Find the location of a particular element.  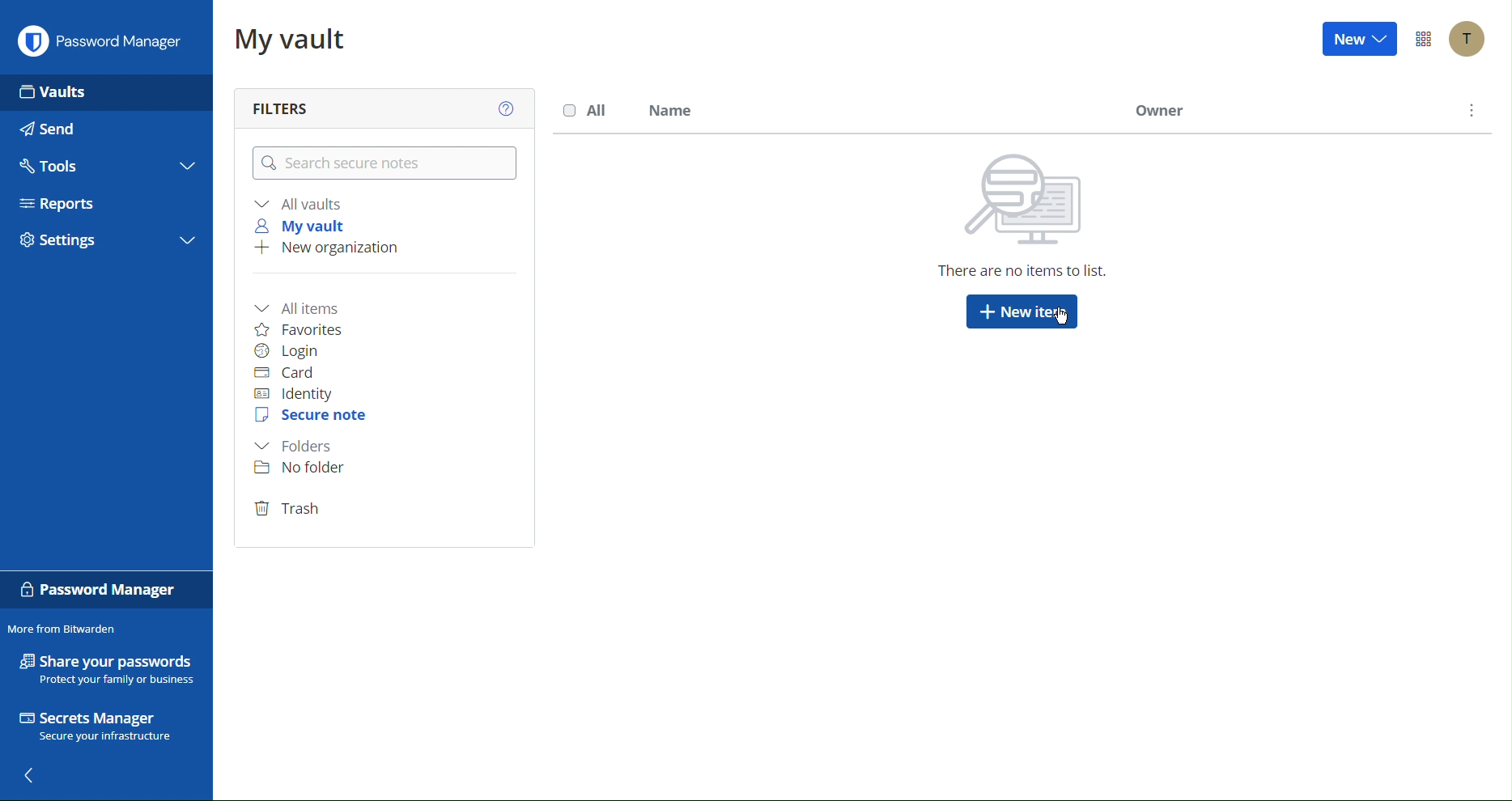

All items is located at coordinates (304, 306).